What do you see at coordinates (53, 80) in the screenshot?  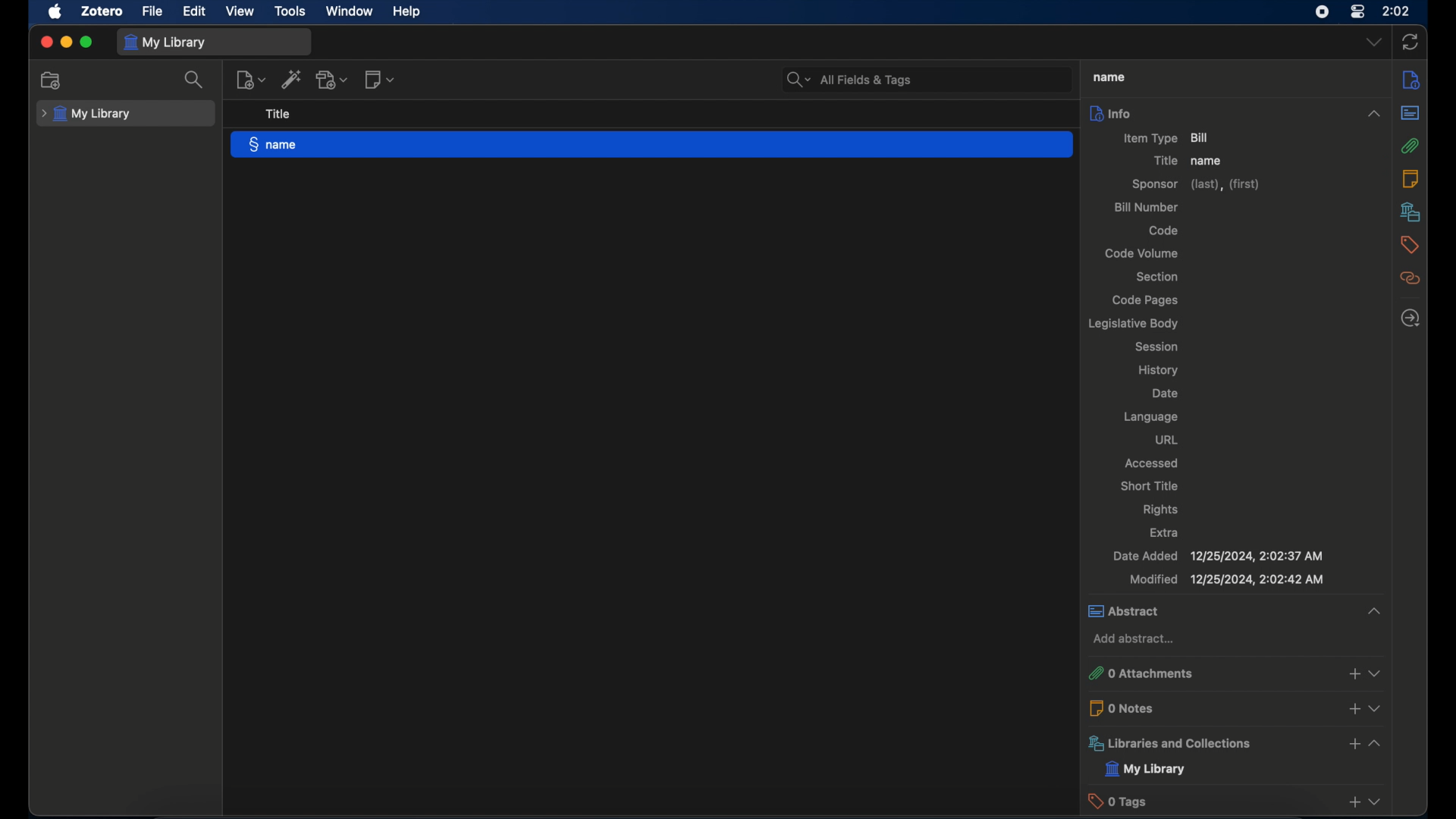 I see `new collection` at bounding box center [53, 80].